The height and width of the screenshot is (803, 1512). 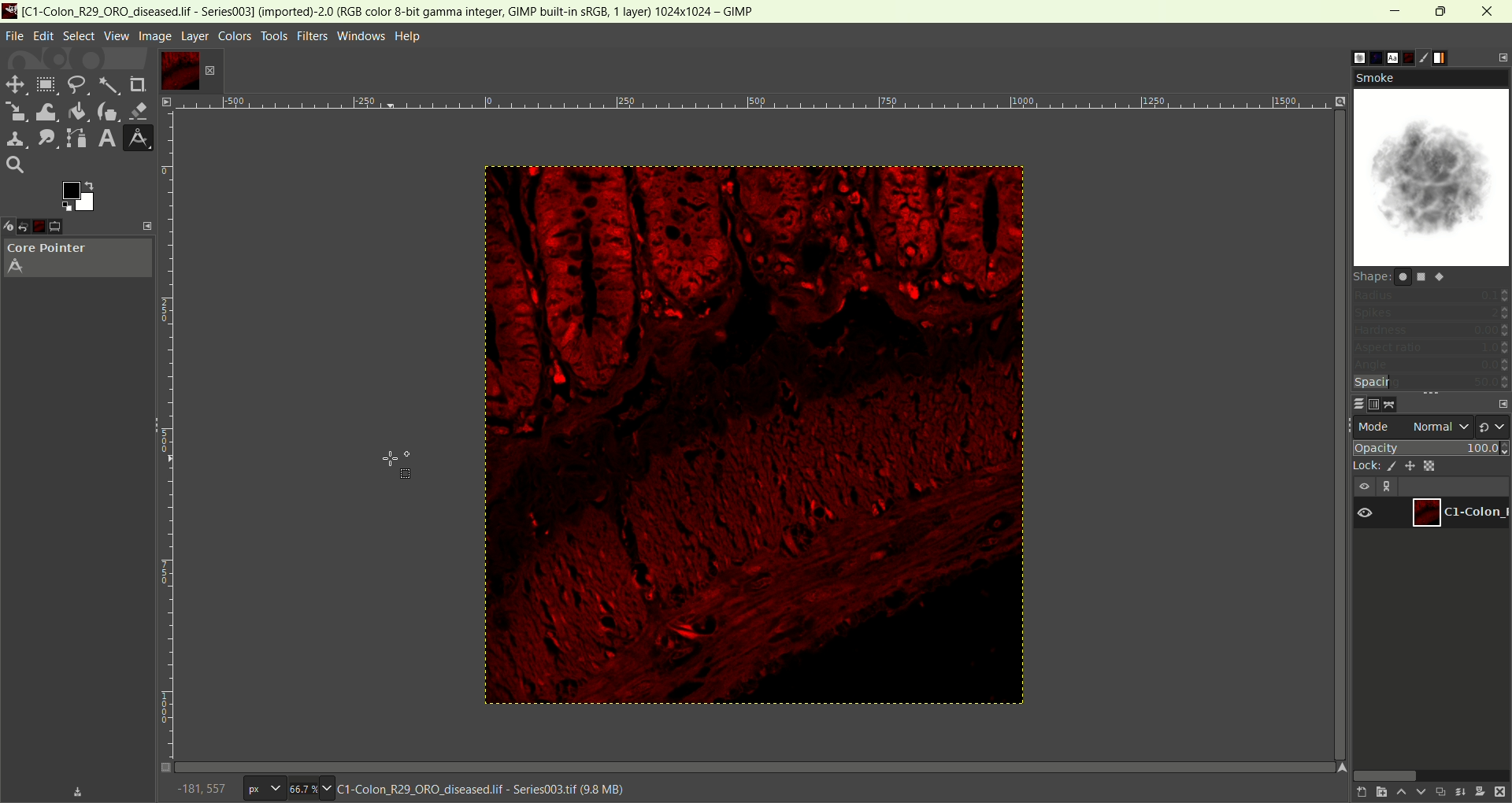 What do you see at coordinates (1366, 514) in the screenshot?
I see `visibility` at bounding box center [1366, 514].